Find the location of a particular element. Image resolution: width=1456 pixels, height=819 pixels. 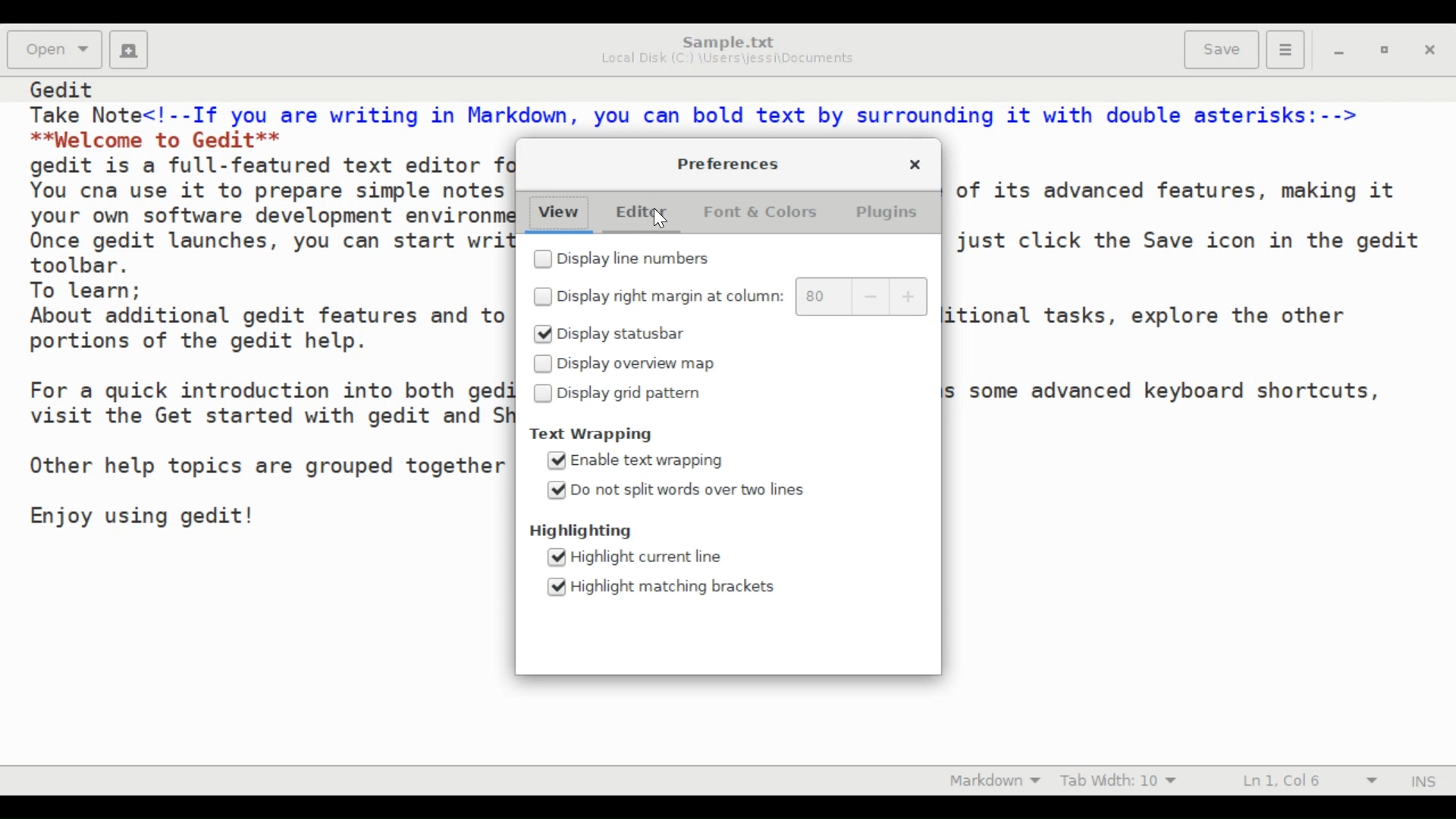

Save is located at coordinates (1222, 50).